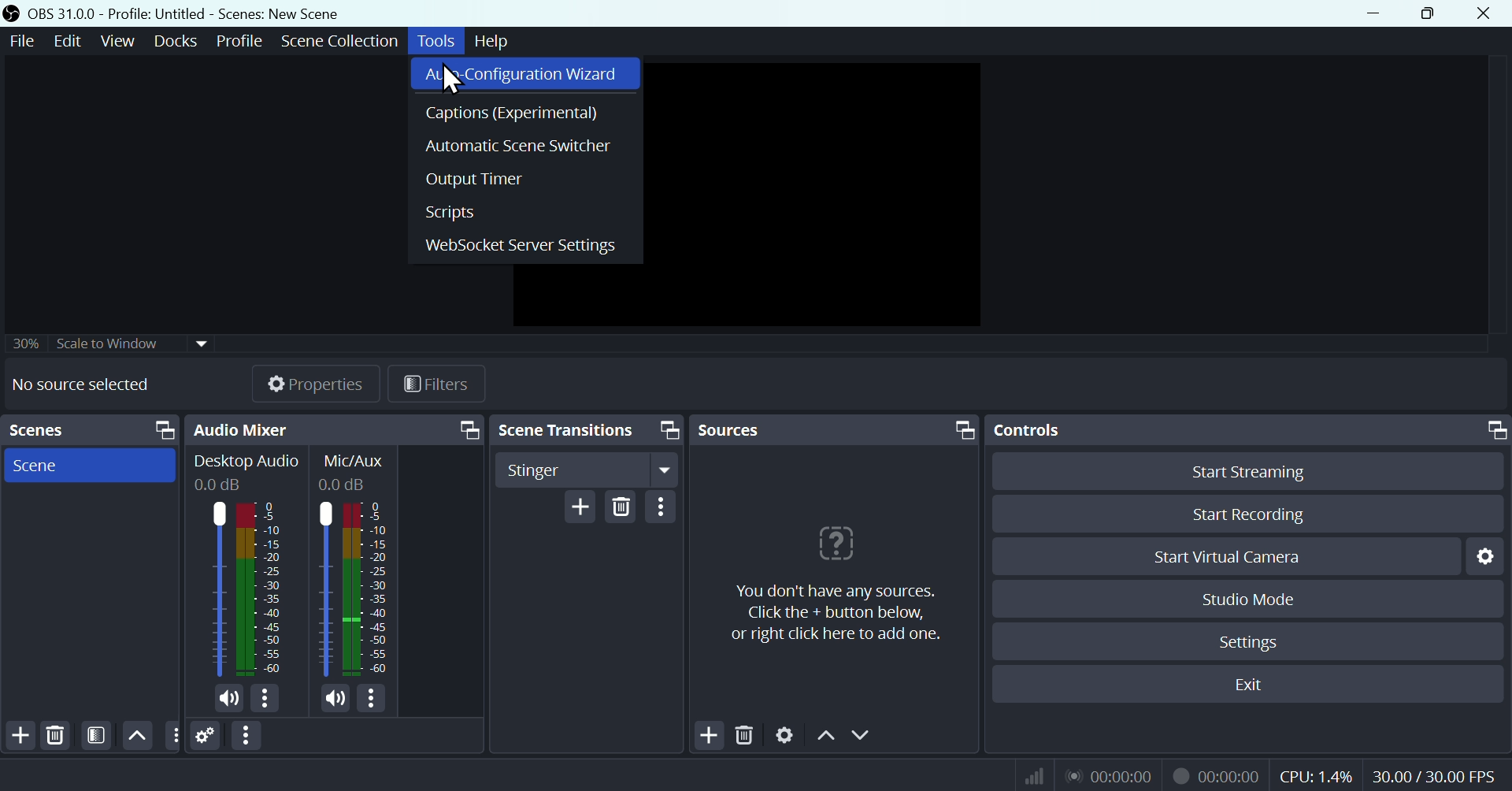 The image size is (1512, 791). Describe the element at coordinates (1483, 556) in the screenshot. I see `Settings` at that location.